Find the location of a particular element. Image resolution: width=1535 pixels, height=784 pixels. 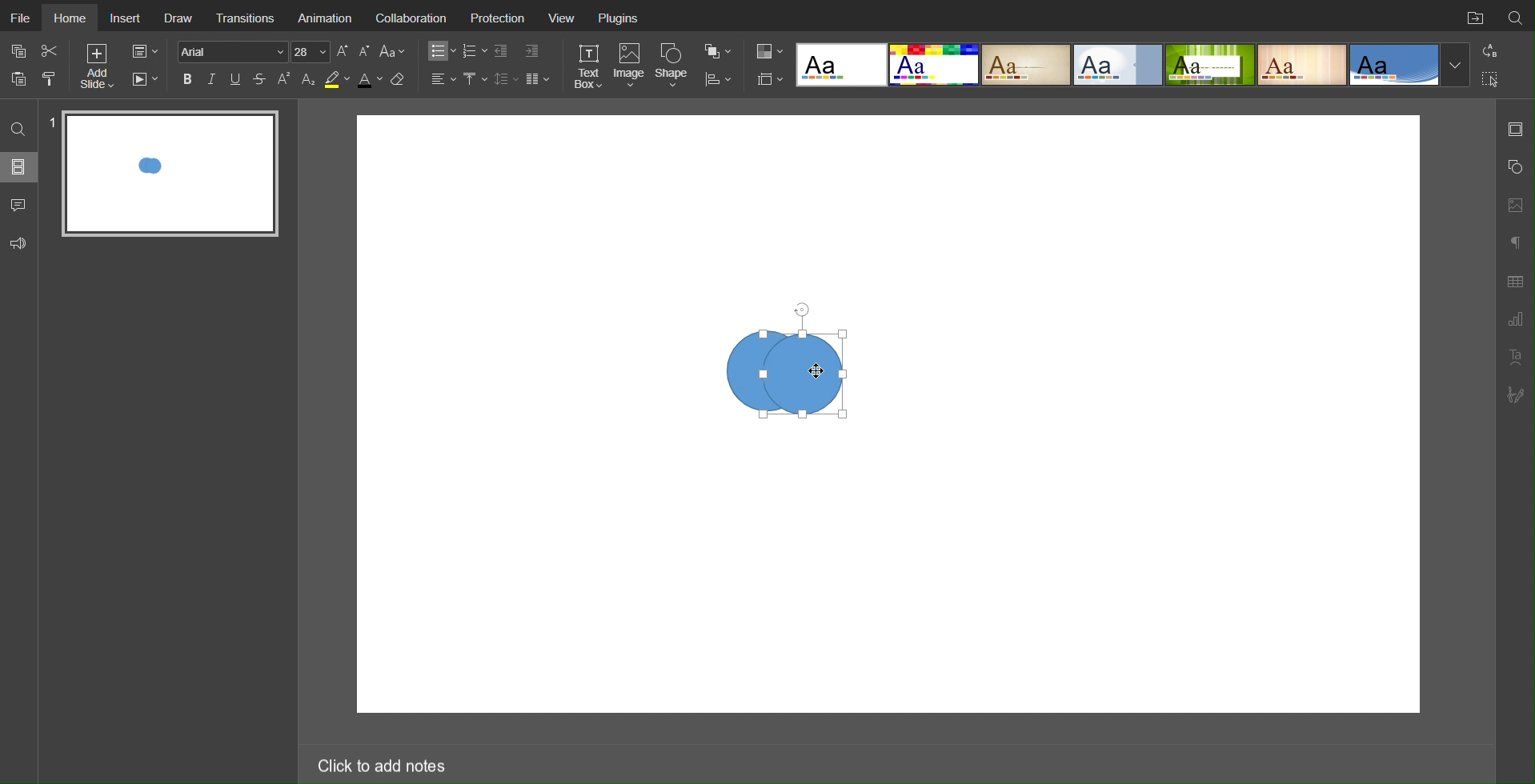

Collaboration is located at coordinates (417, 20).